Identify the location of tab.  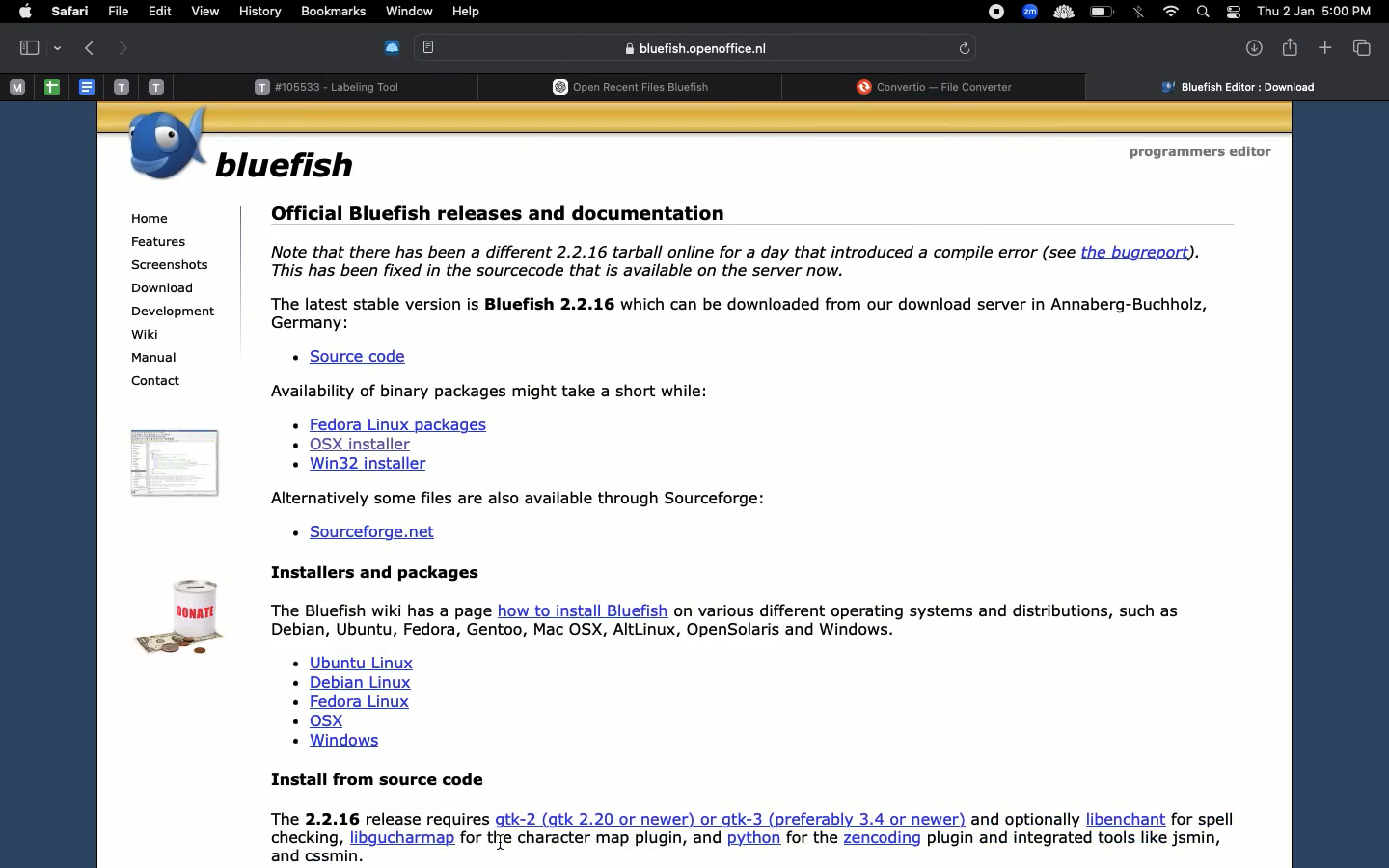
(41, 46).